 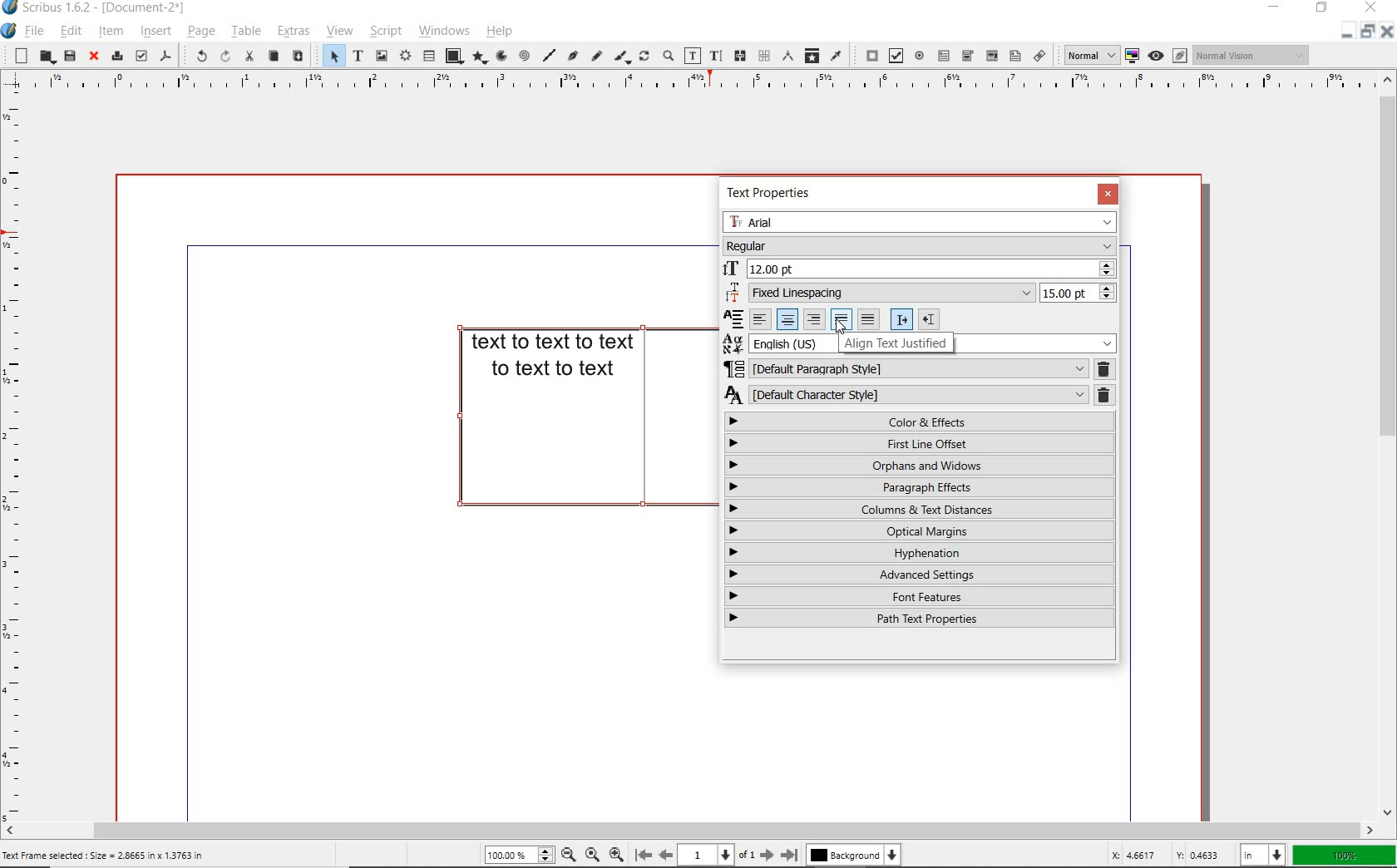 I want to click on help, so click(x=499, y=31).